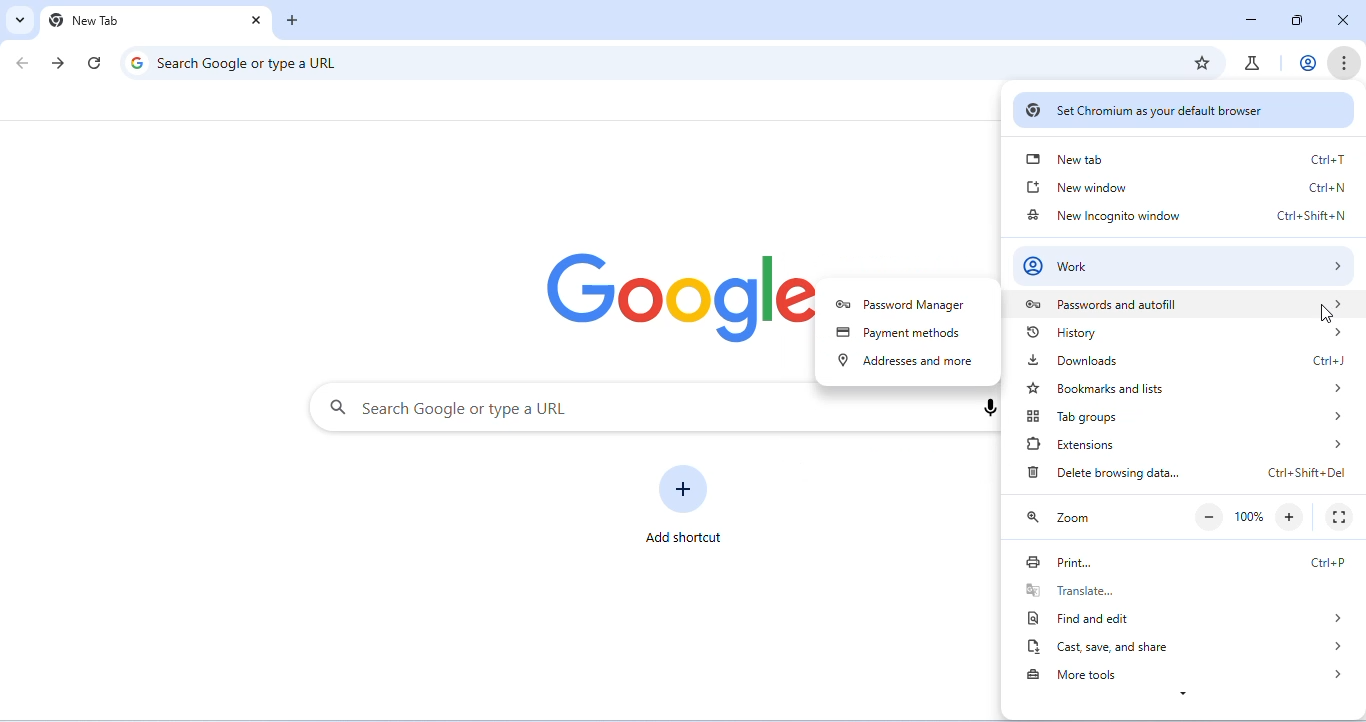 The width and height of the screenshot is (1366, 722). What do you see at coordinates (1184, 158) in the screenshot?
I see `new tab Ctrl+T` at bounding box center [1184, 158].